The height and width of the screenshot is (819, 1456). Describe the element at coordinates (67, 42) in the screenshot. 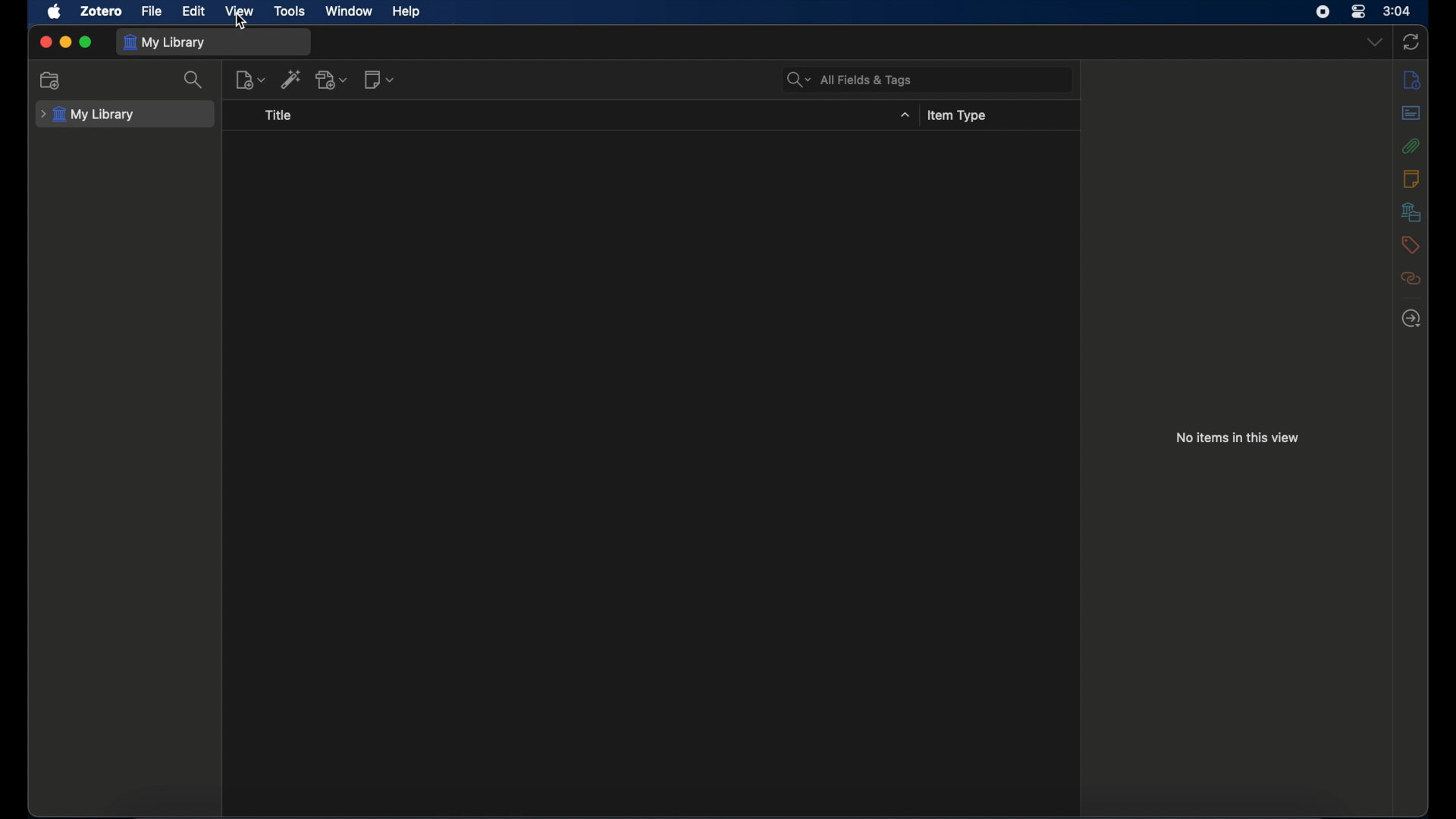

I see `minimize` at that location.